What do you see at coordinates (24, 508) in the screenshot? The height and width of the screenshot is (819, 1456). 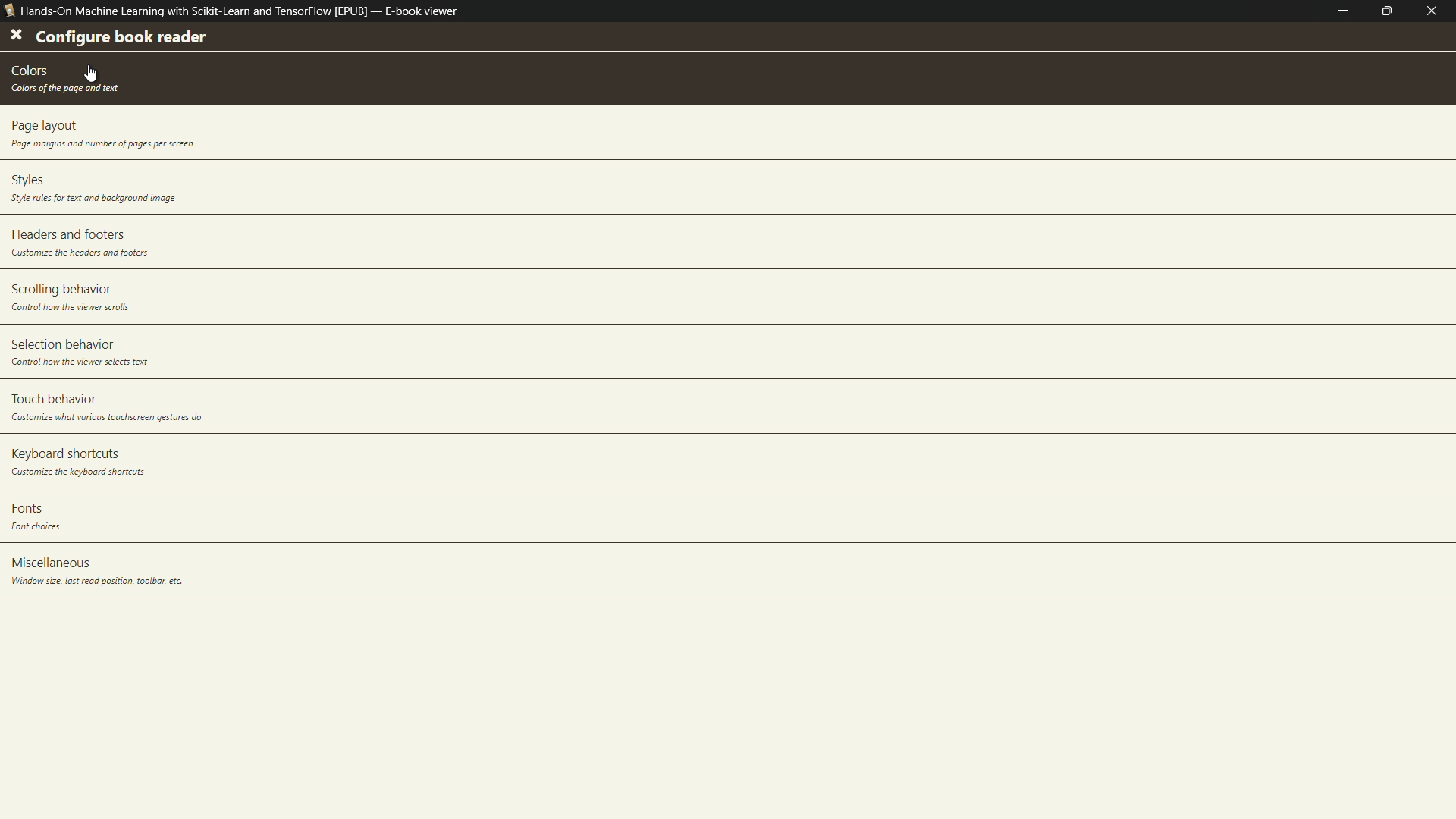 I see `fonts` at bounding box center [24, 508].